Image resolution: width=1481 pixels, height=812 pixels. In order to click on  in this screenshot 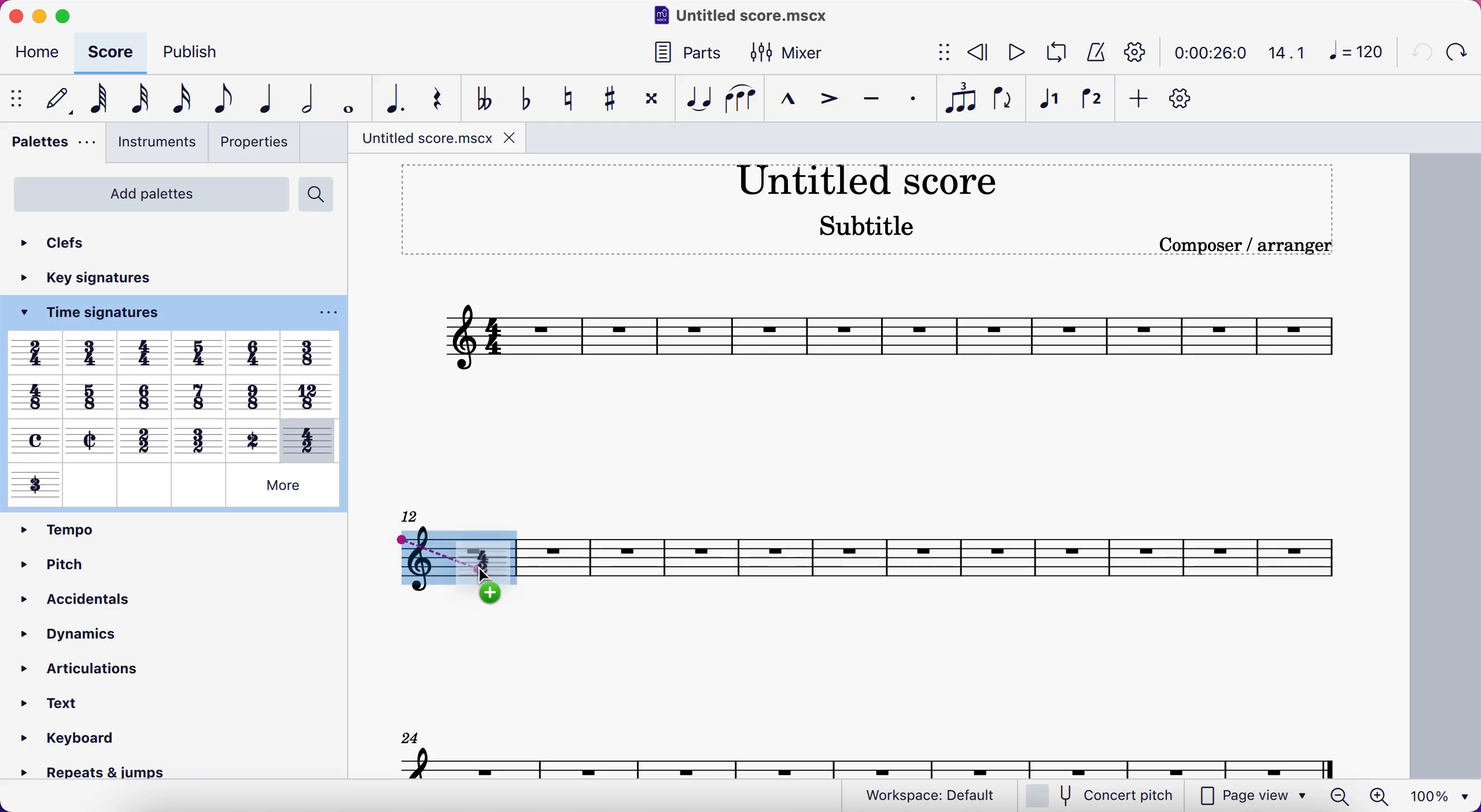, I will do `click(200, 353)`.